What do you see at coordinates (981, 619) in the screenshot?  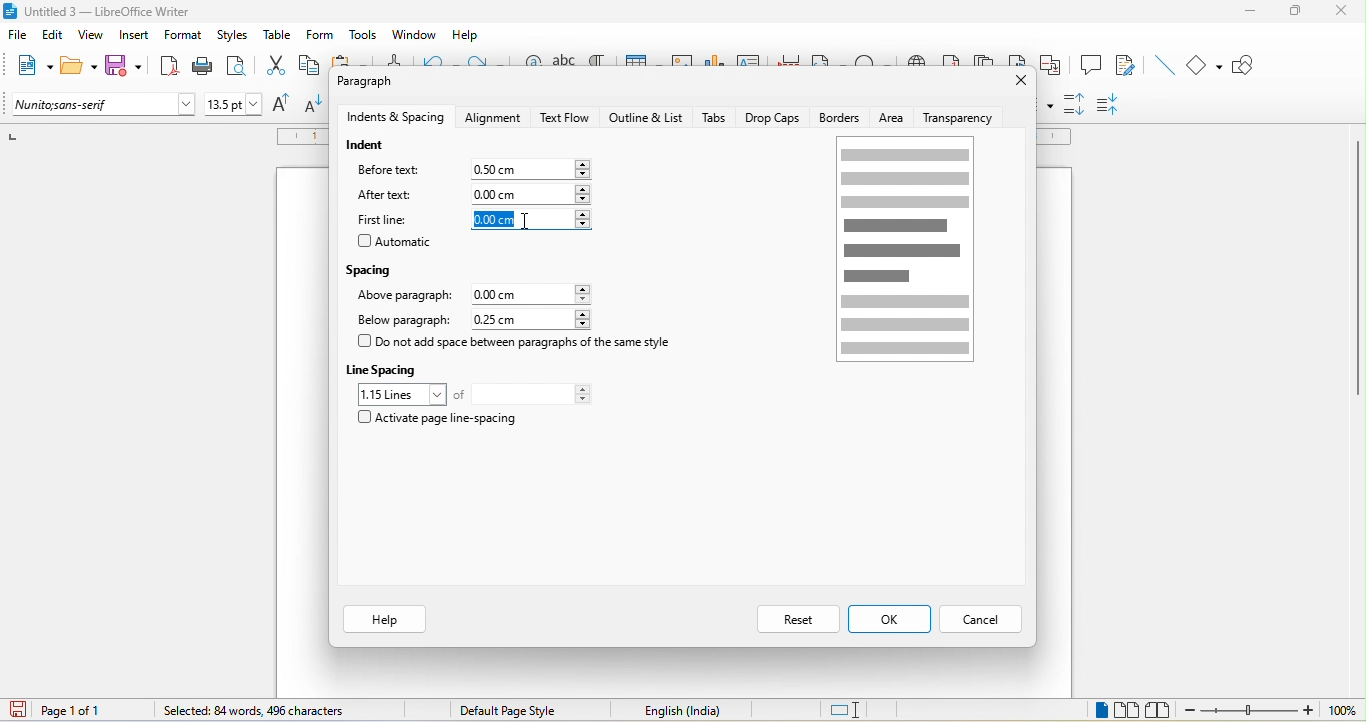 I see `cancel` at bounding box center [981, 619].